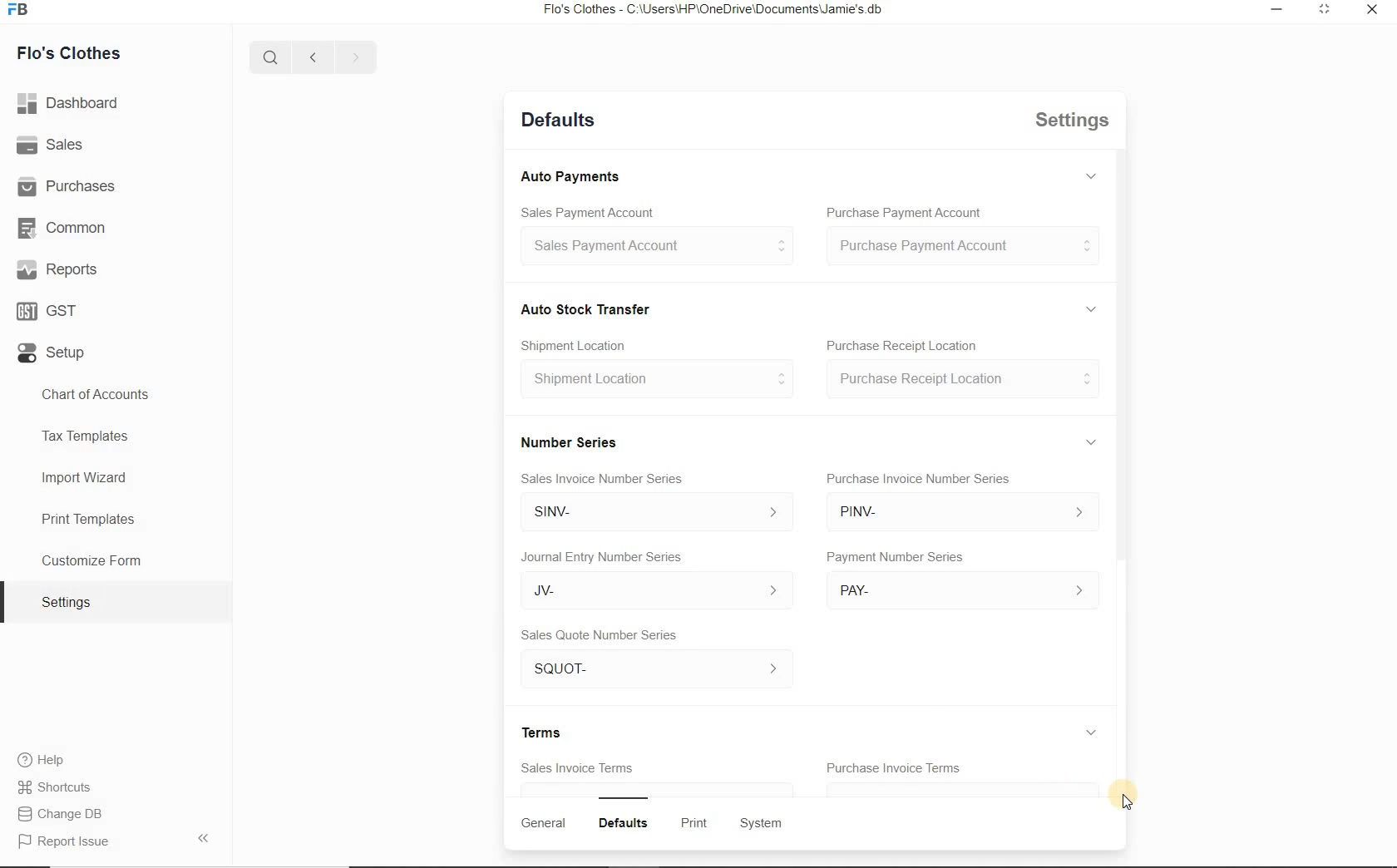 This screenshot has width=1397, height=868. Describe the element at coordinates (600, 635) in the screenshot. I see `Sales Quote Number Series` at that location.